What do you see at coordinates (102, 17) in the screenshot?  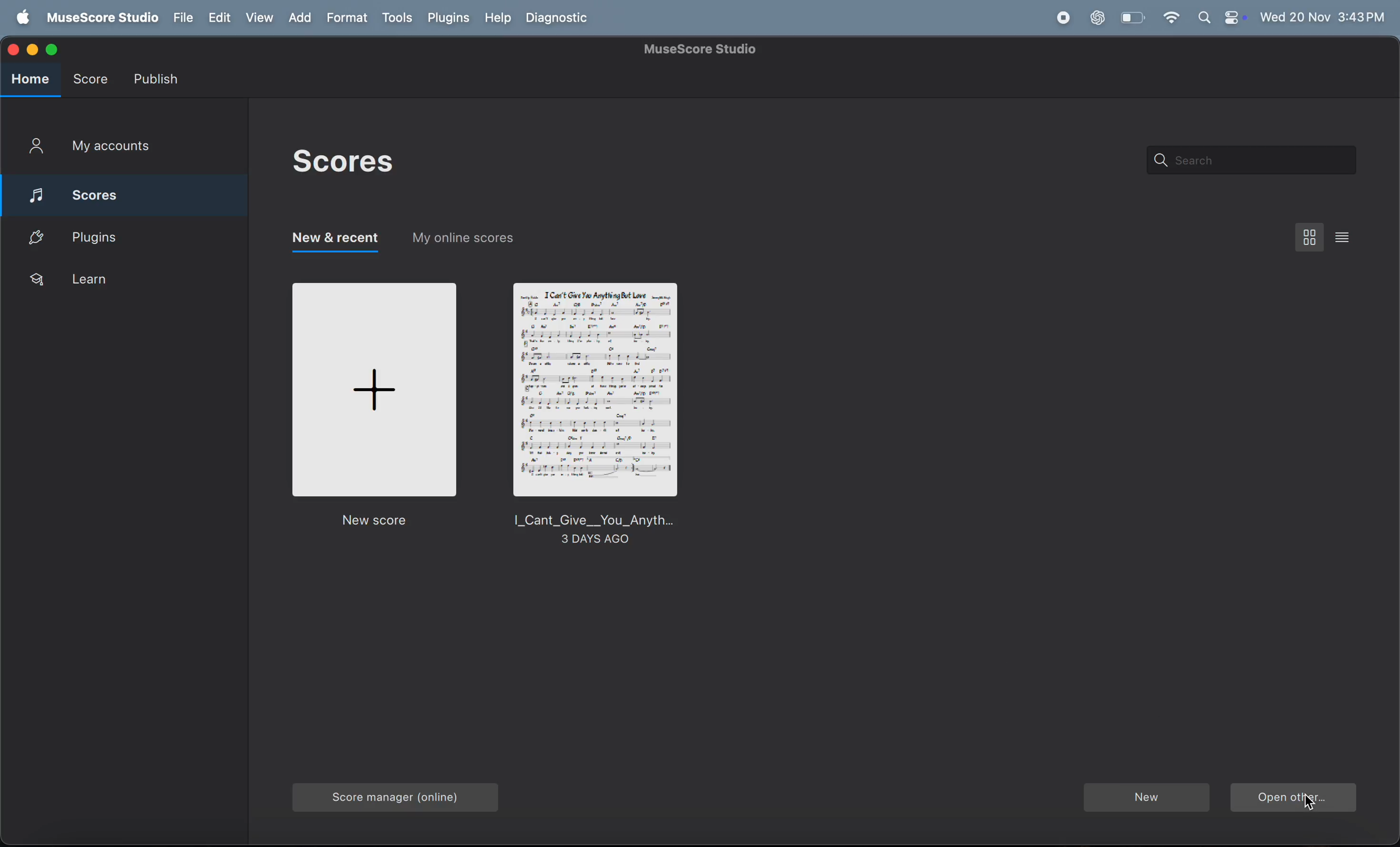 I see `musescore studio` at bounding box center [102, 17].